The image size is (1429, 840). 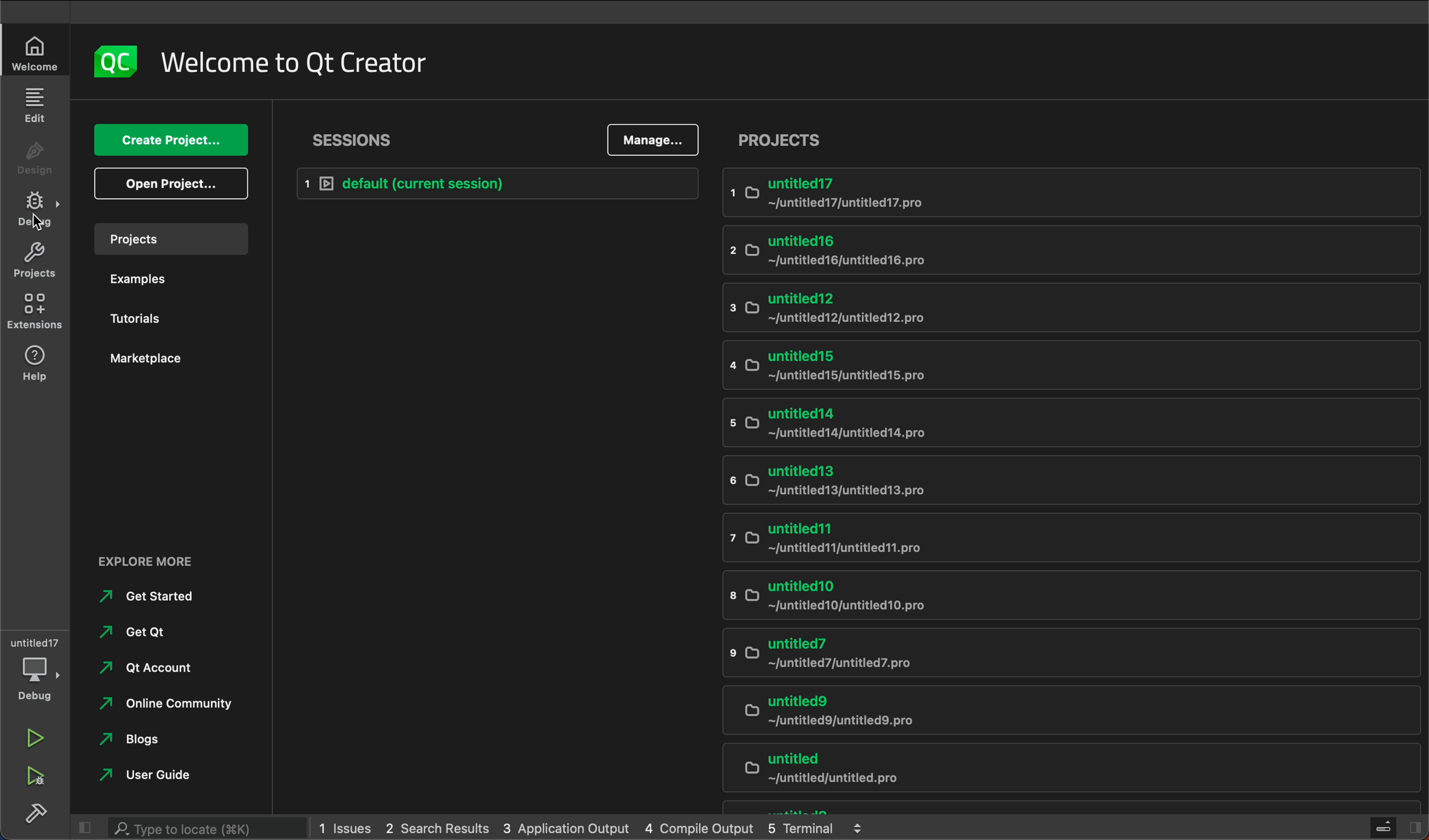 I want to click on Logs, so click(x=859, y=828).